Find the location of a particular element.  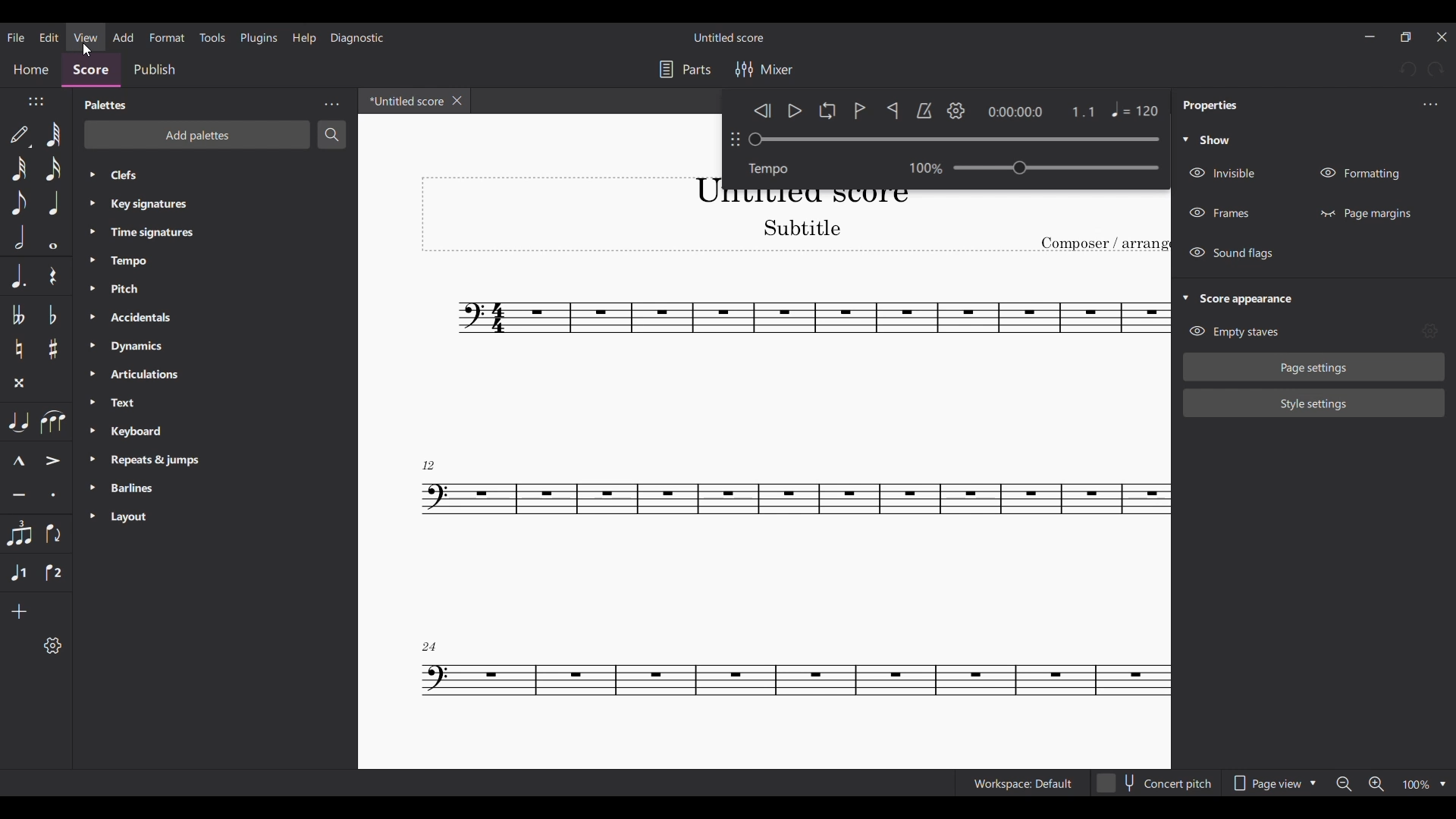

Formatting is located at coordinates (1360, 174).